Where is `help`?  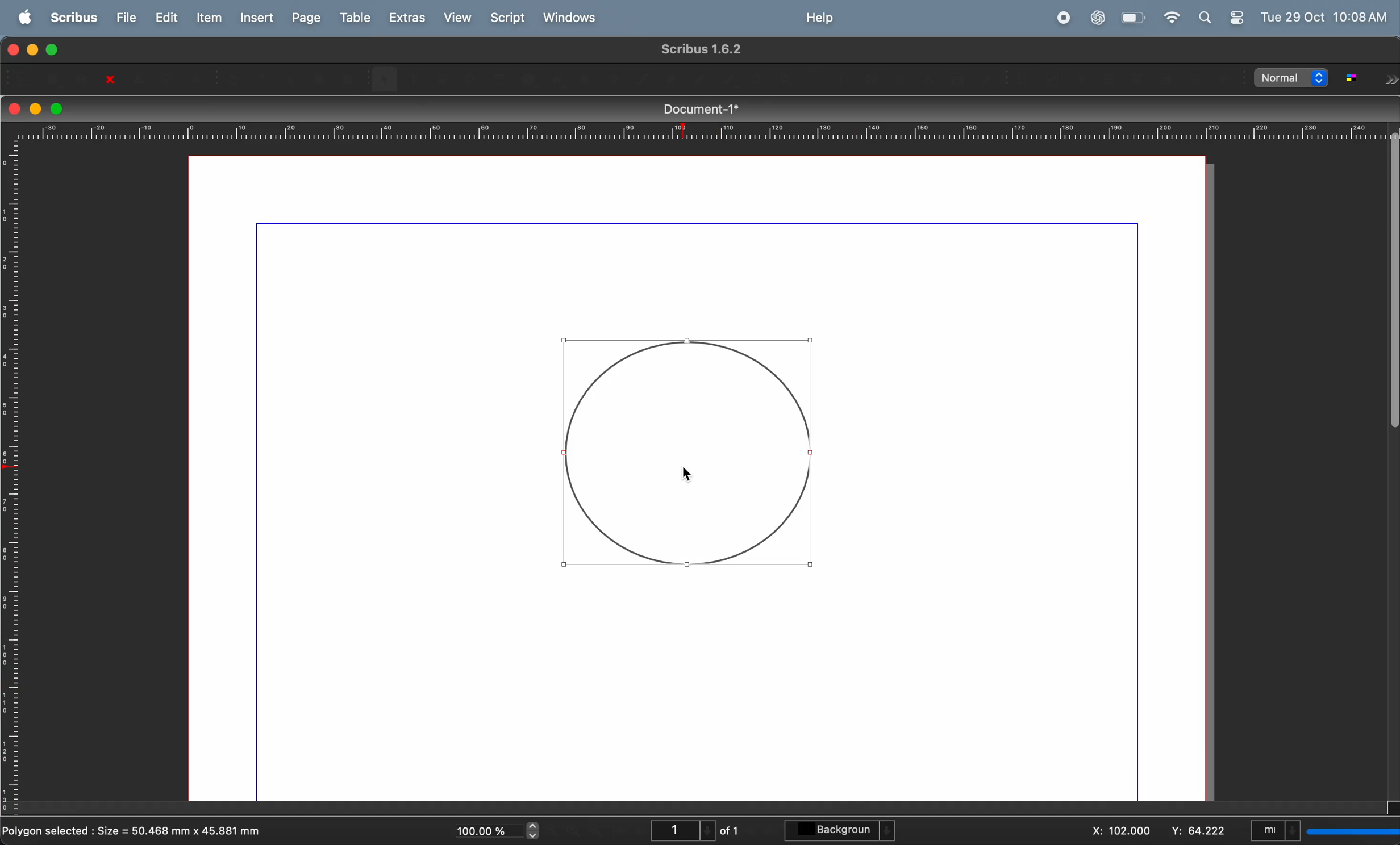 help is located at coordinates (821, 19).